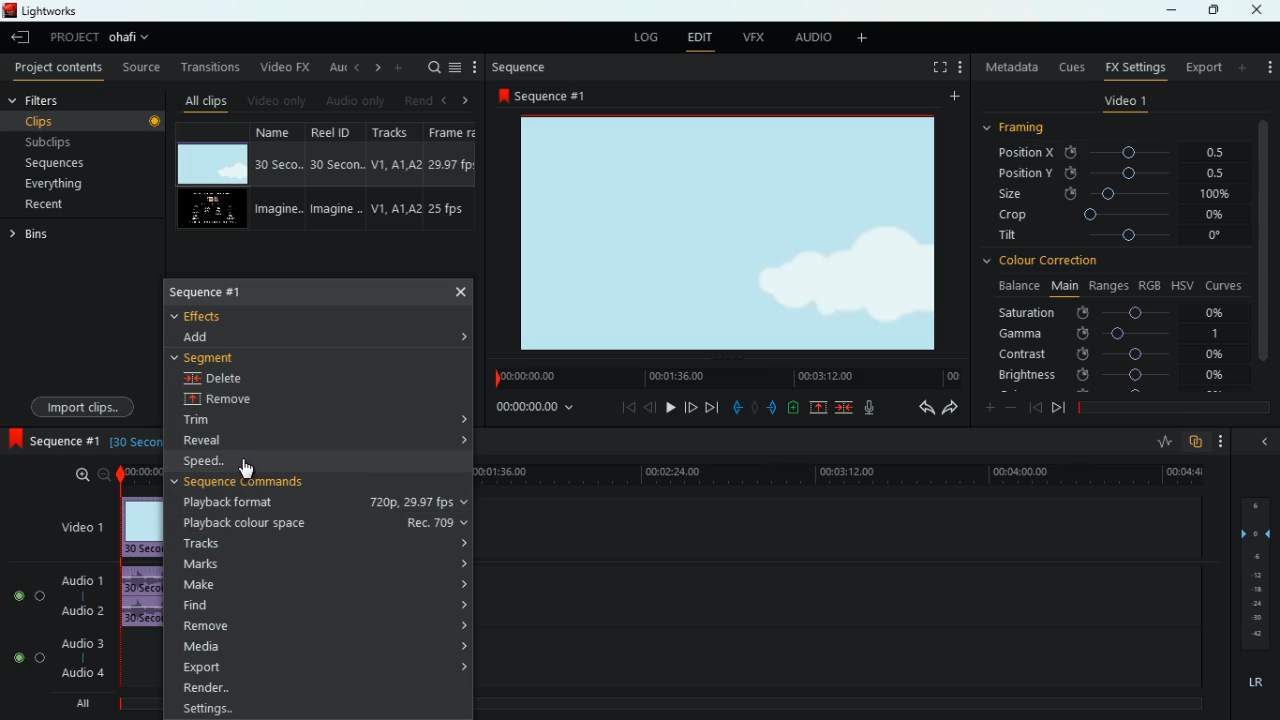  I want to click on sequence, so click(518, 67).